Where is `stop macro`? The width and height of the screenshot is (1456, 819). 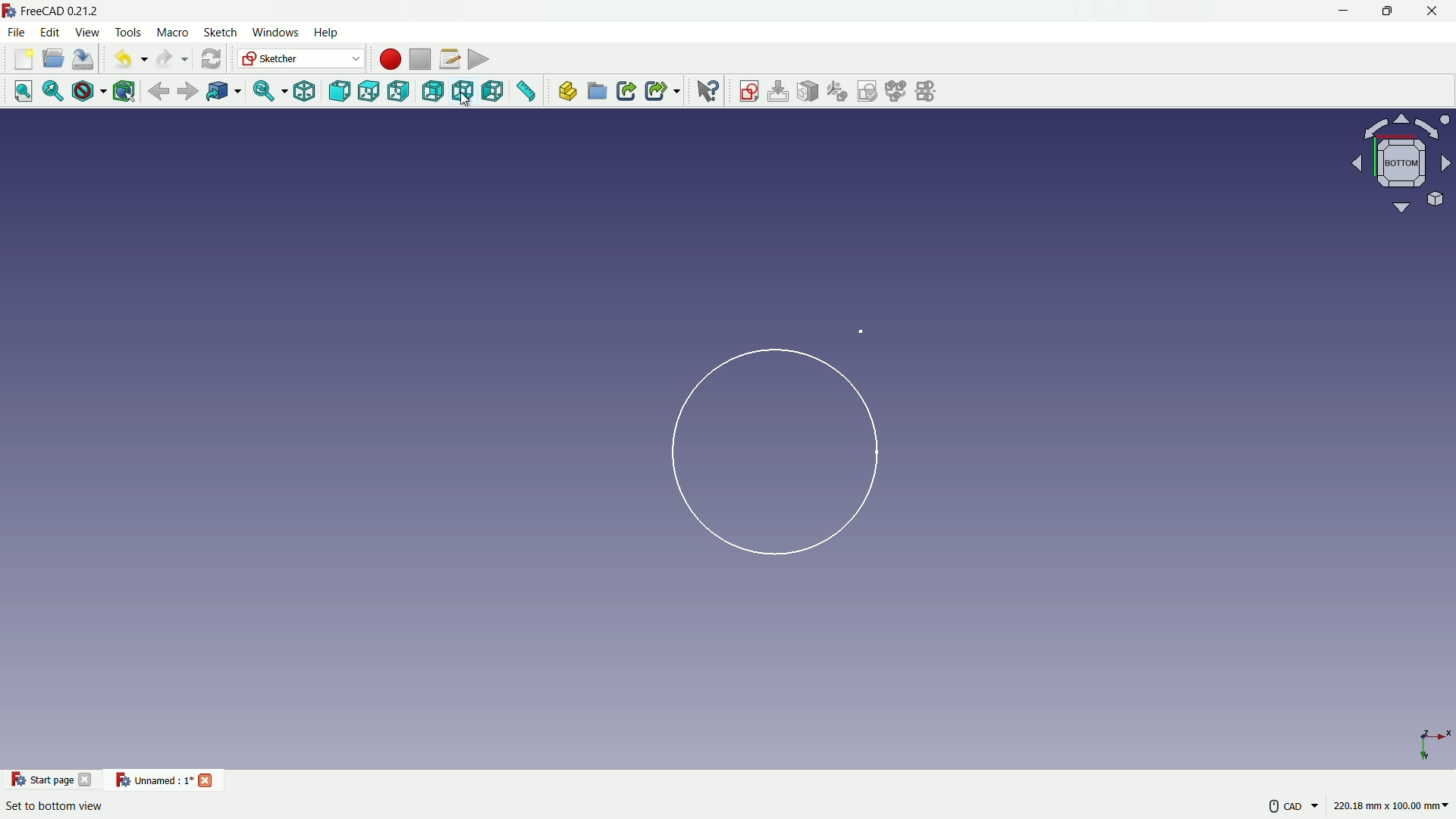
stop macro is located at coordinates (419, 58).